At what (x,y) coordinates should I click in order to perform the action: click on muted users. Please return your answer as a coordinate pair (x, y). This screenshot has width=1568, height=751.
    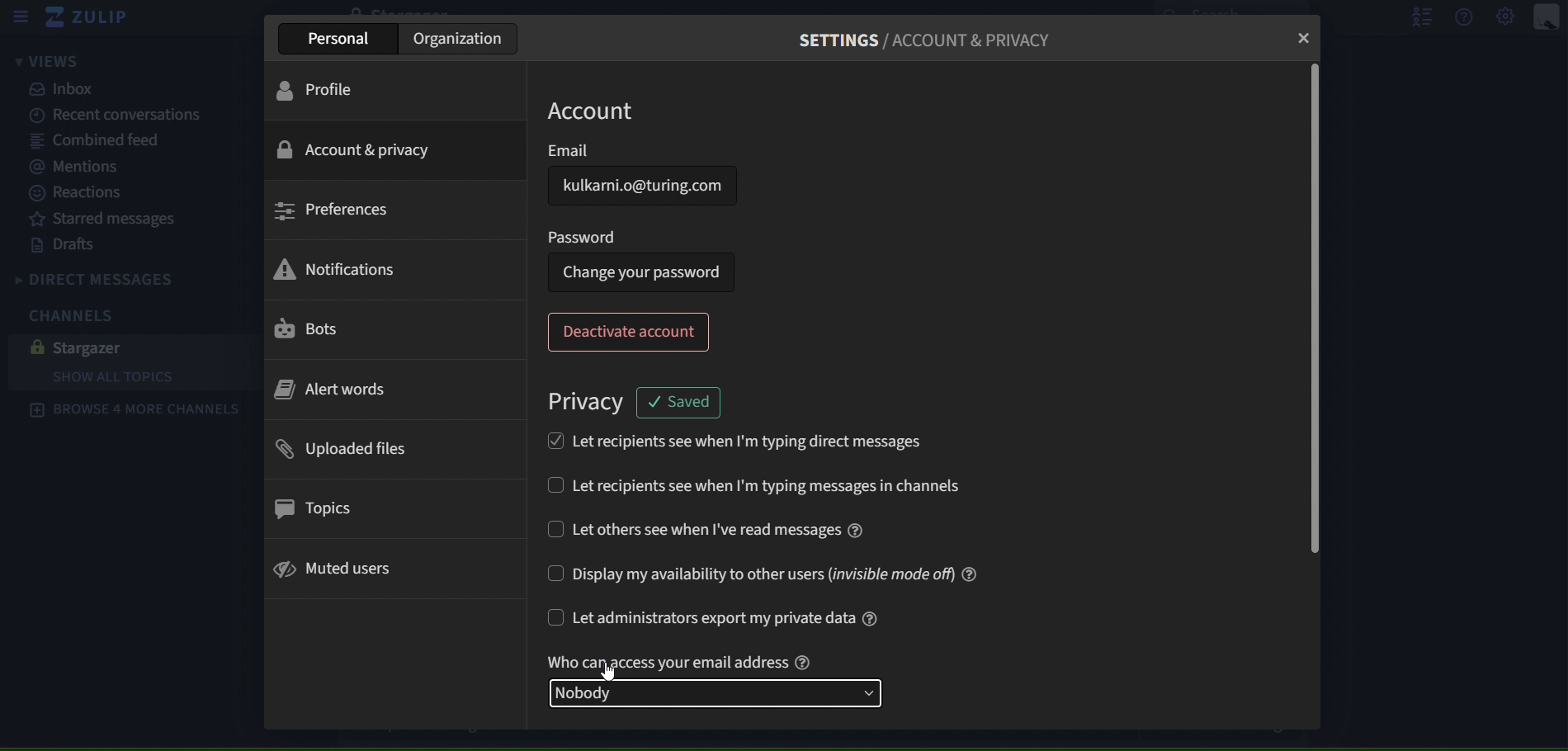
    Looking at the image, I should click on (339, 568).